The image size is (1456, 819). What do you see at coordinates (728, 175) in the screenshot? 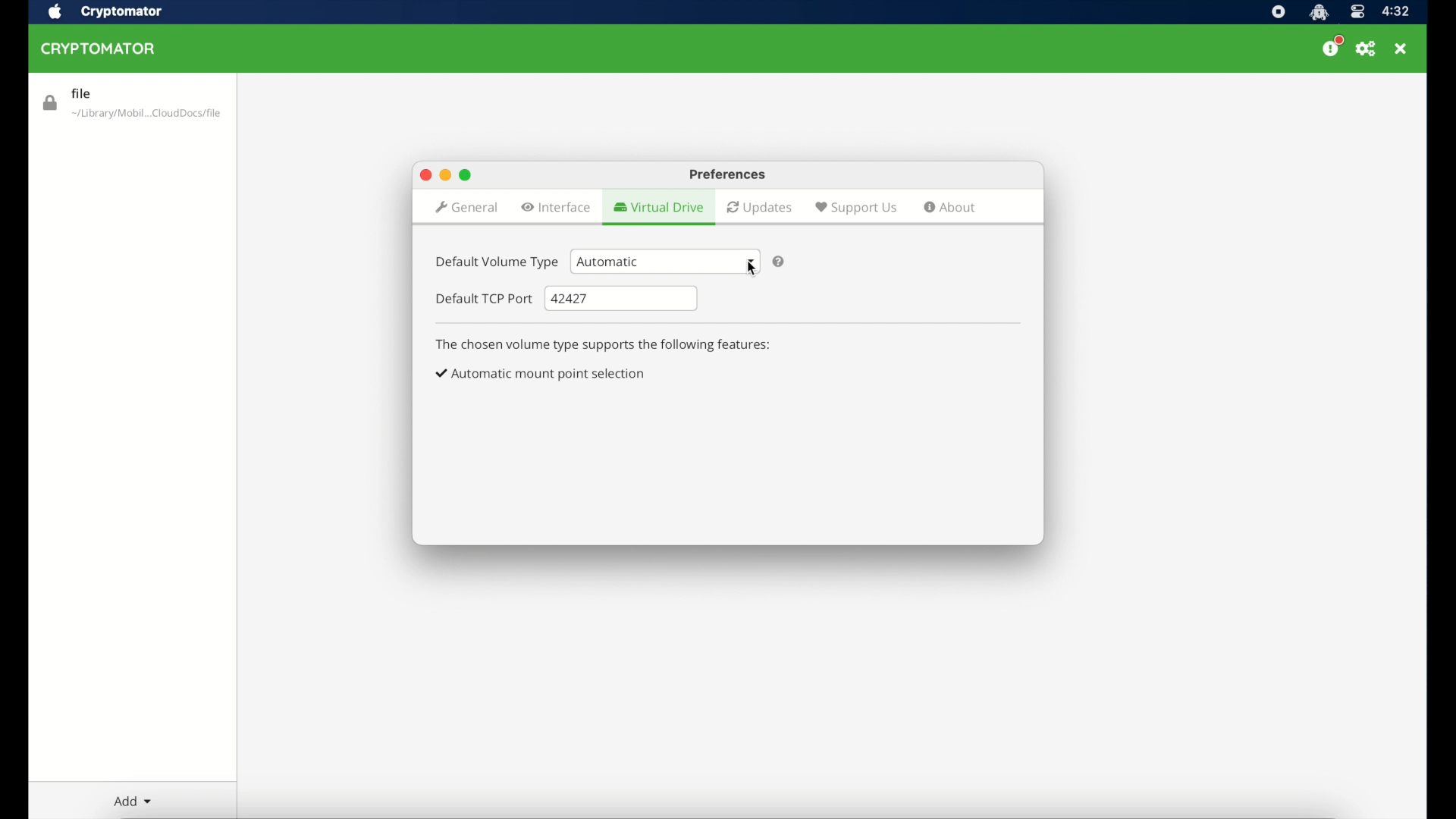
I see `preferences` at bounding box center [728, 175].